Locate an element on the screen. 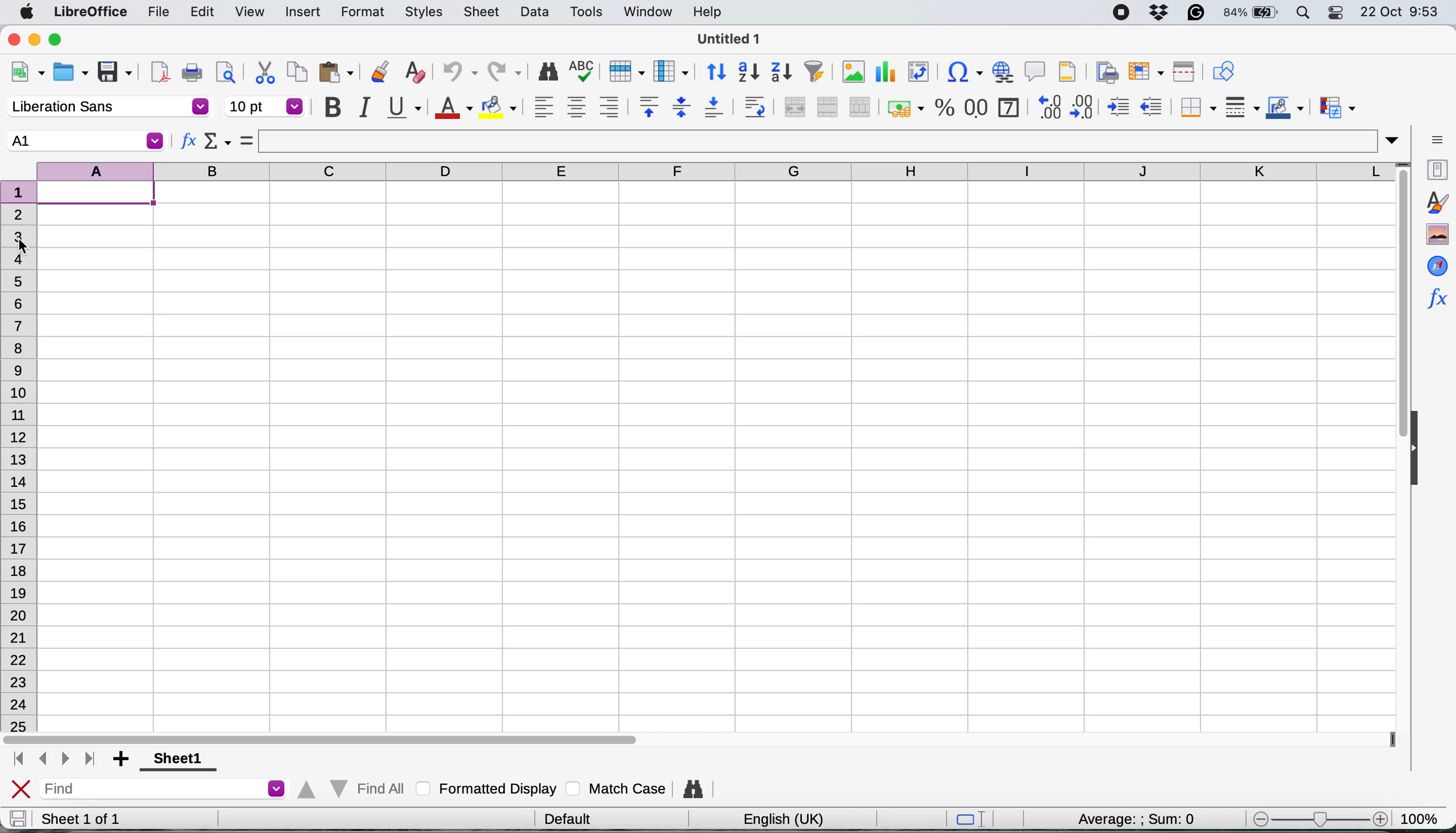 This screenshot has width=1456, height=833. sheet 1 of 1 is located at coordinates (81, 819).